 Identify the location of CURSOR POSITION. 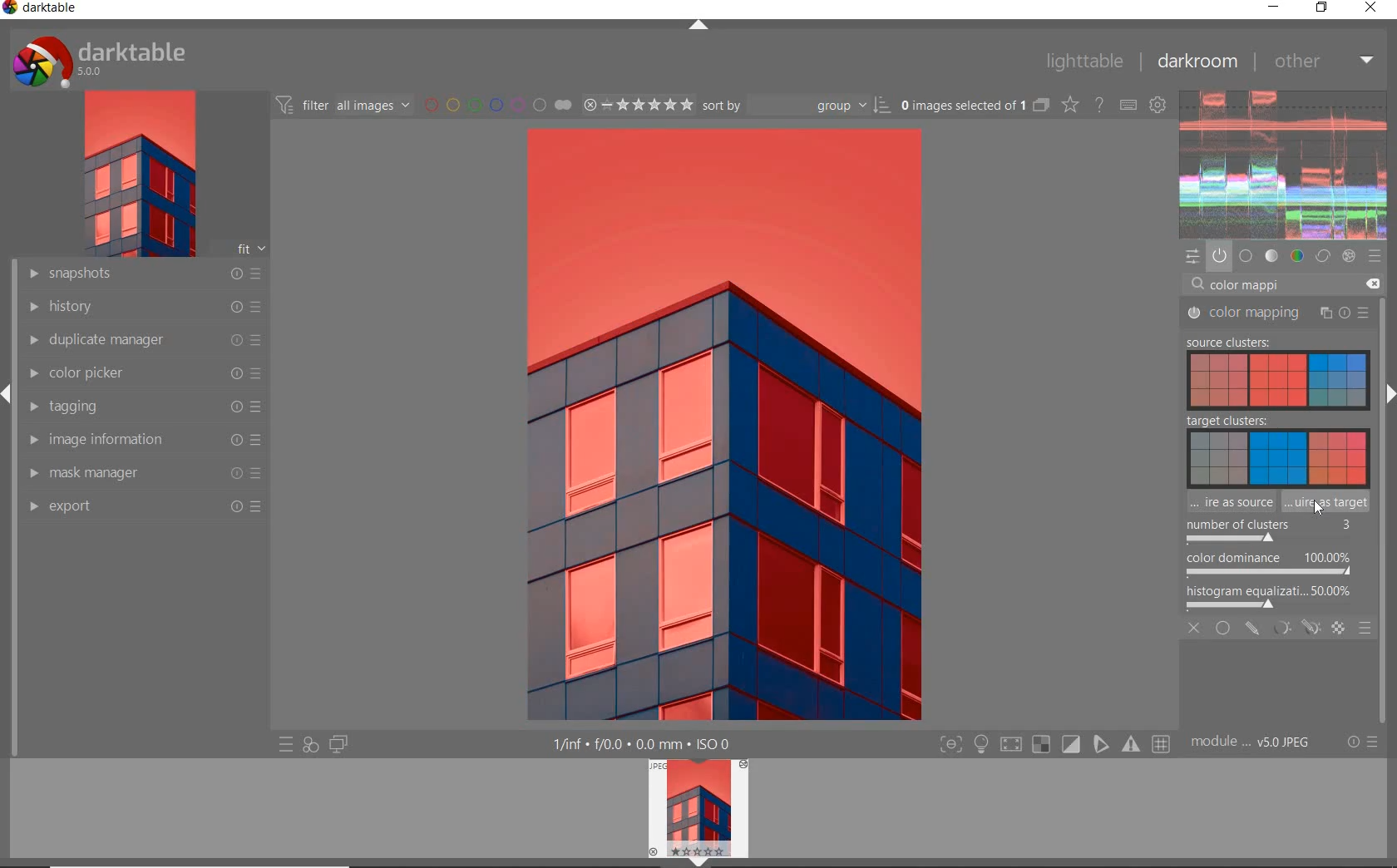
(1318, 508).